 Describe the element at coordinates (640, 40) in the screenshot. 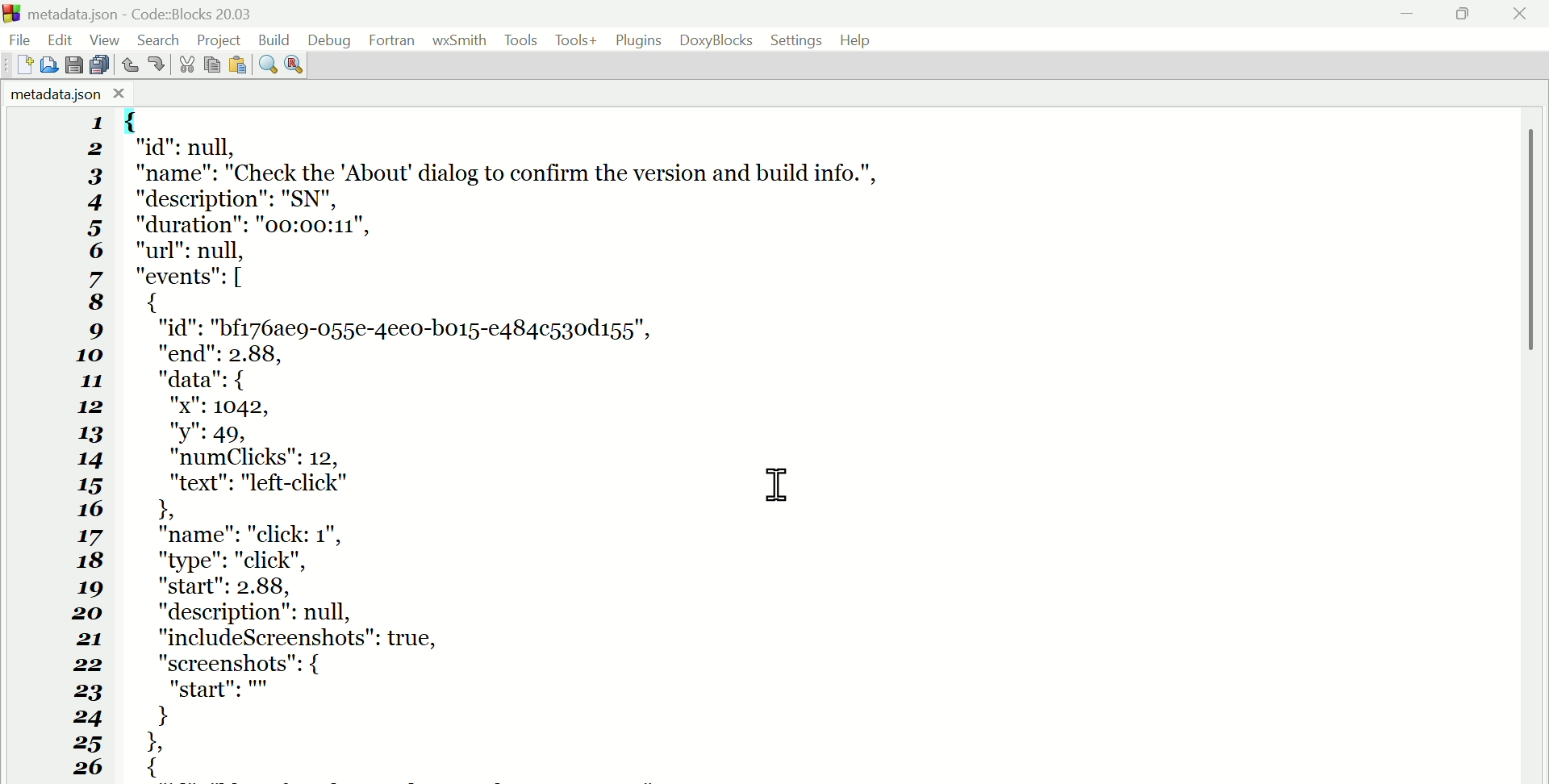

I see `Plugins` at that location.